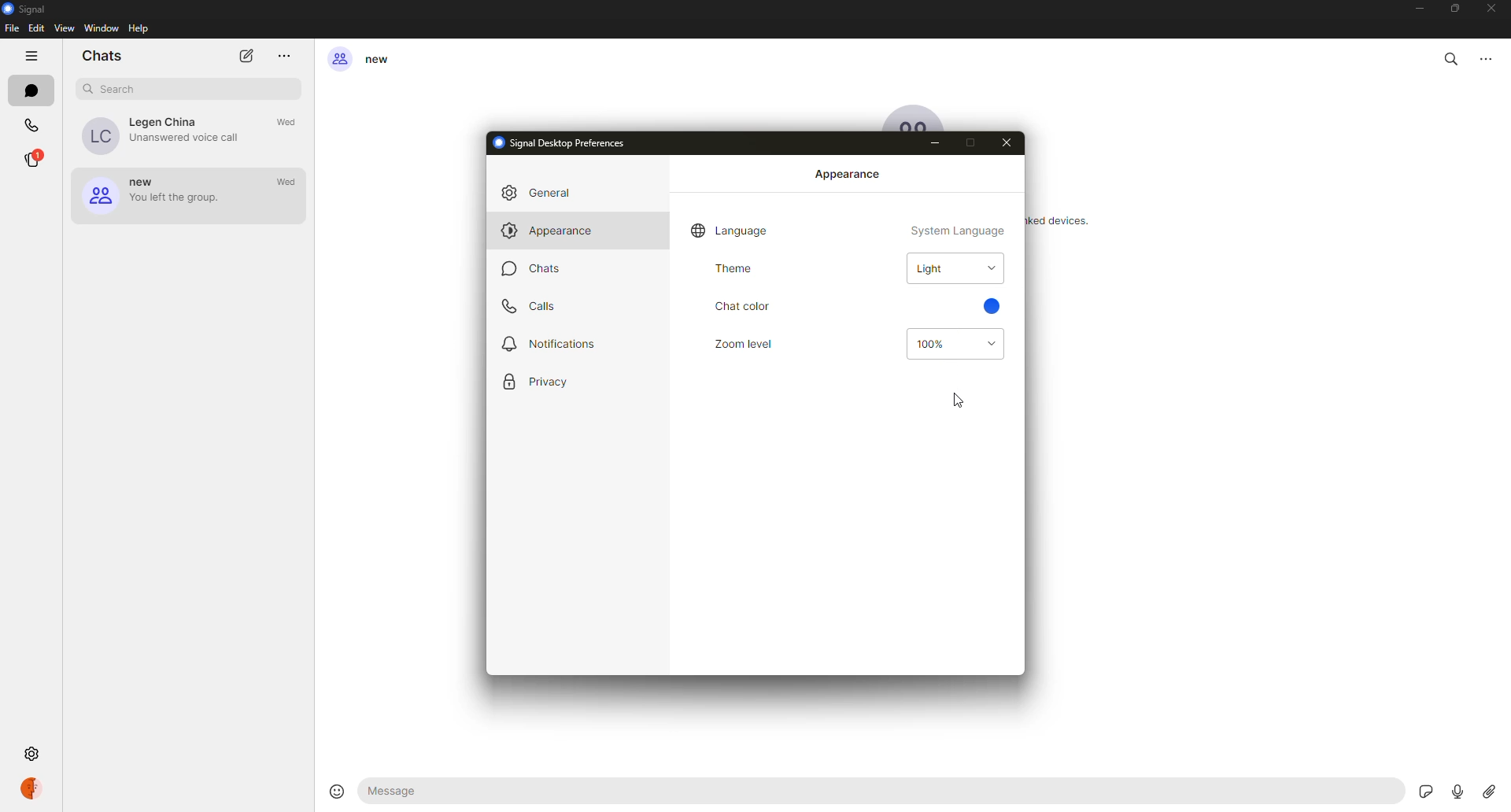  What do you see at coordinates (990, 308) in the screenshot?
I see `blue` at bounding box center [990, 308].